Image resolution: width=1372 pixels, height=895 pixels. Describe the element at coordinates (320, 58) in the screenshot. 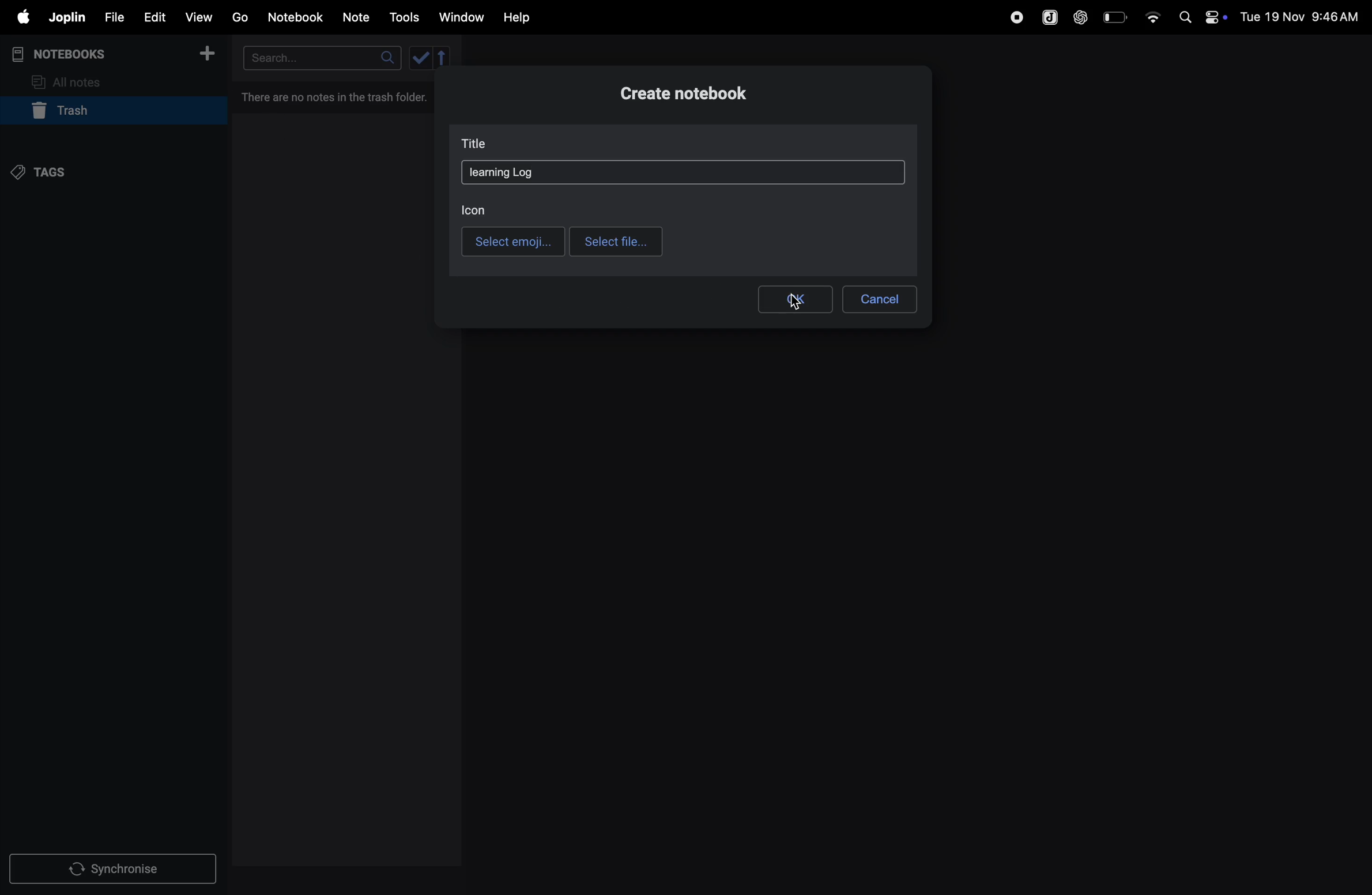

I see `search` at that location.